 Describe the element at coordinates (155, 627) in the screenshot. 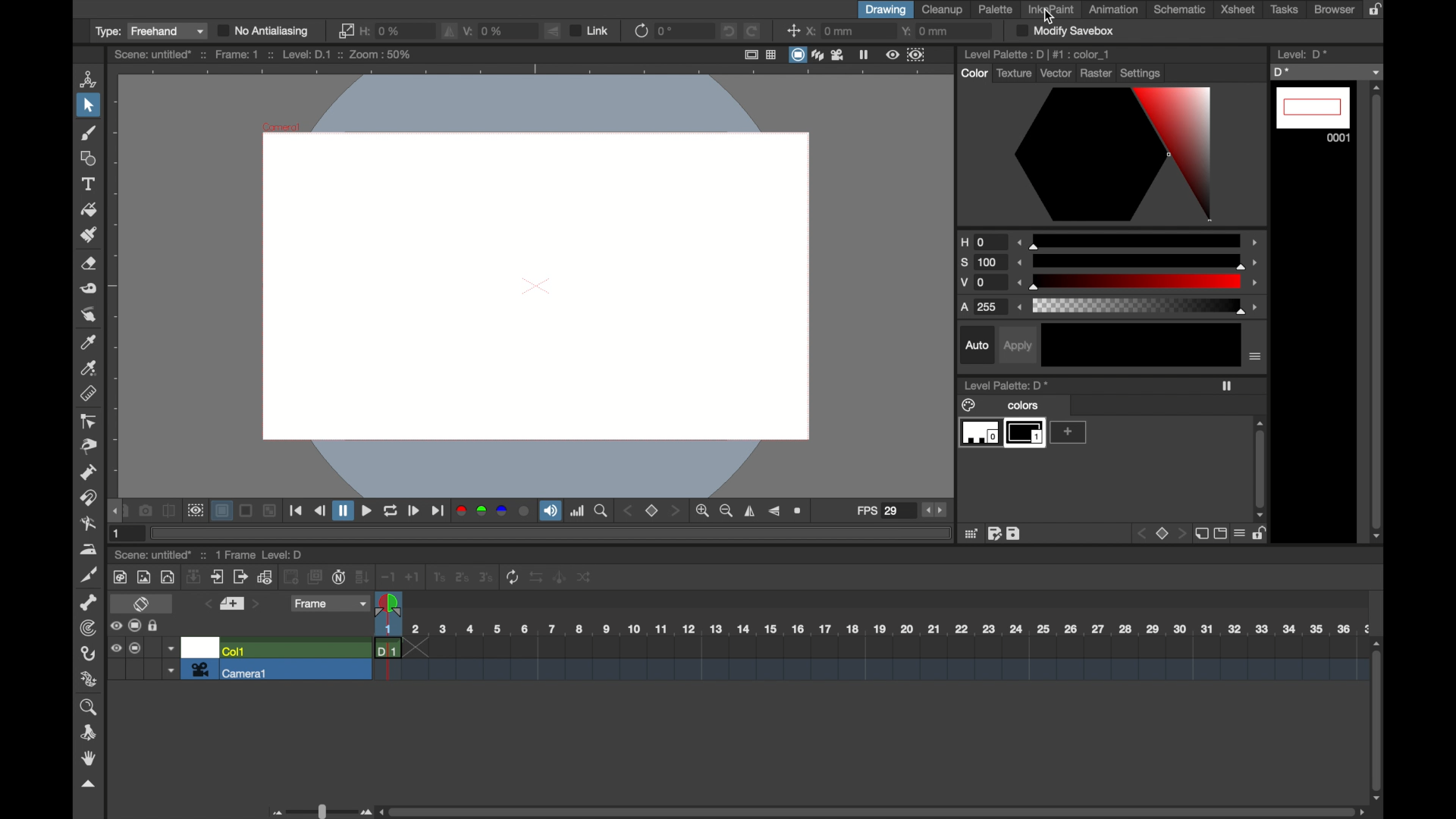

I see `unlock` at that location.